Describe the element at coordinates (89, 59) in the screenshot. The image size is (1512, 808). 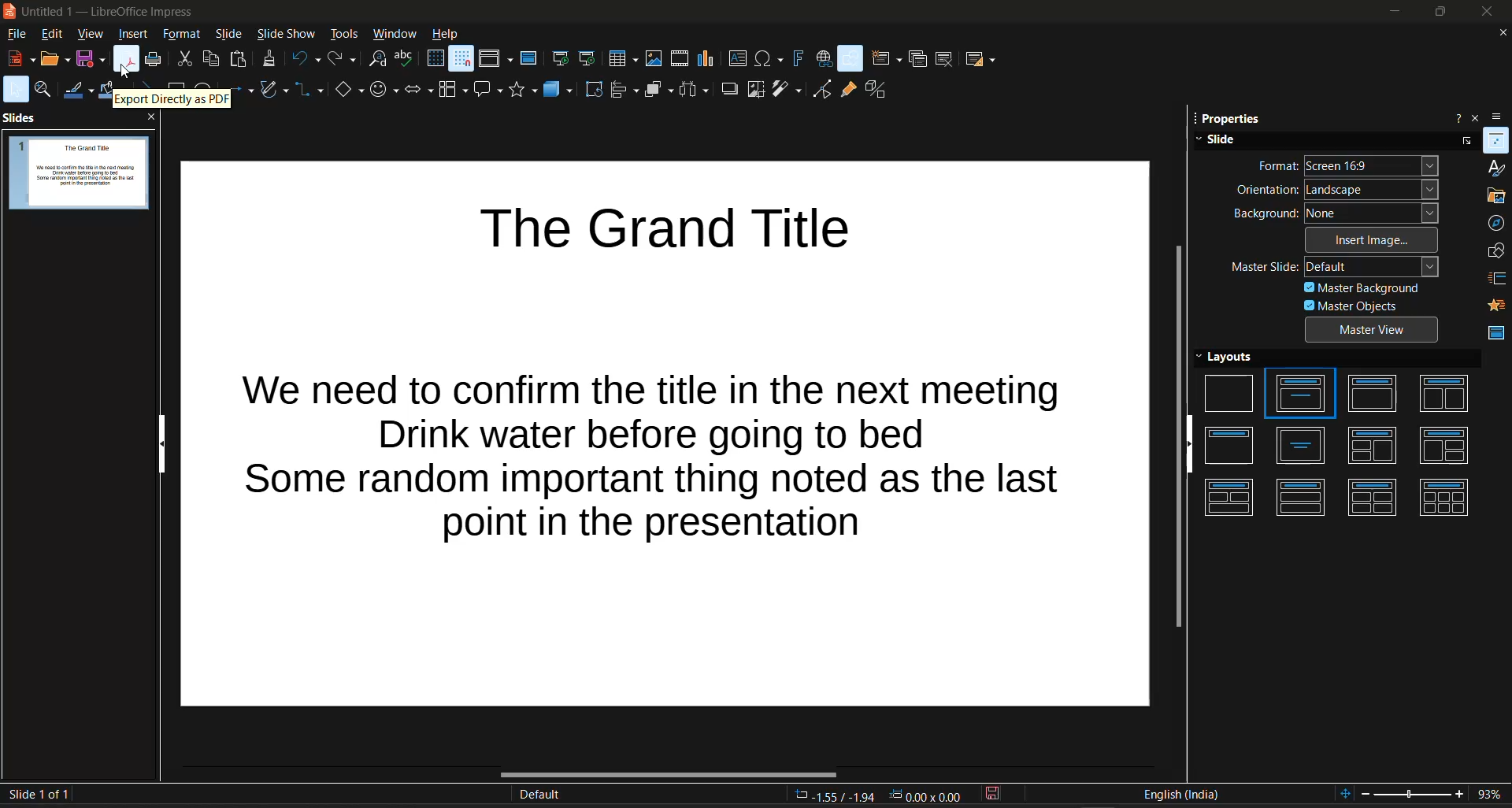
I see `save` at that location.